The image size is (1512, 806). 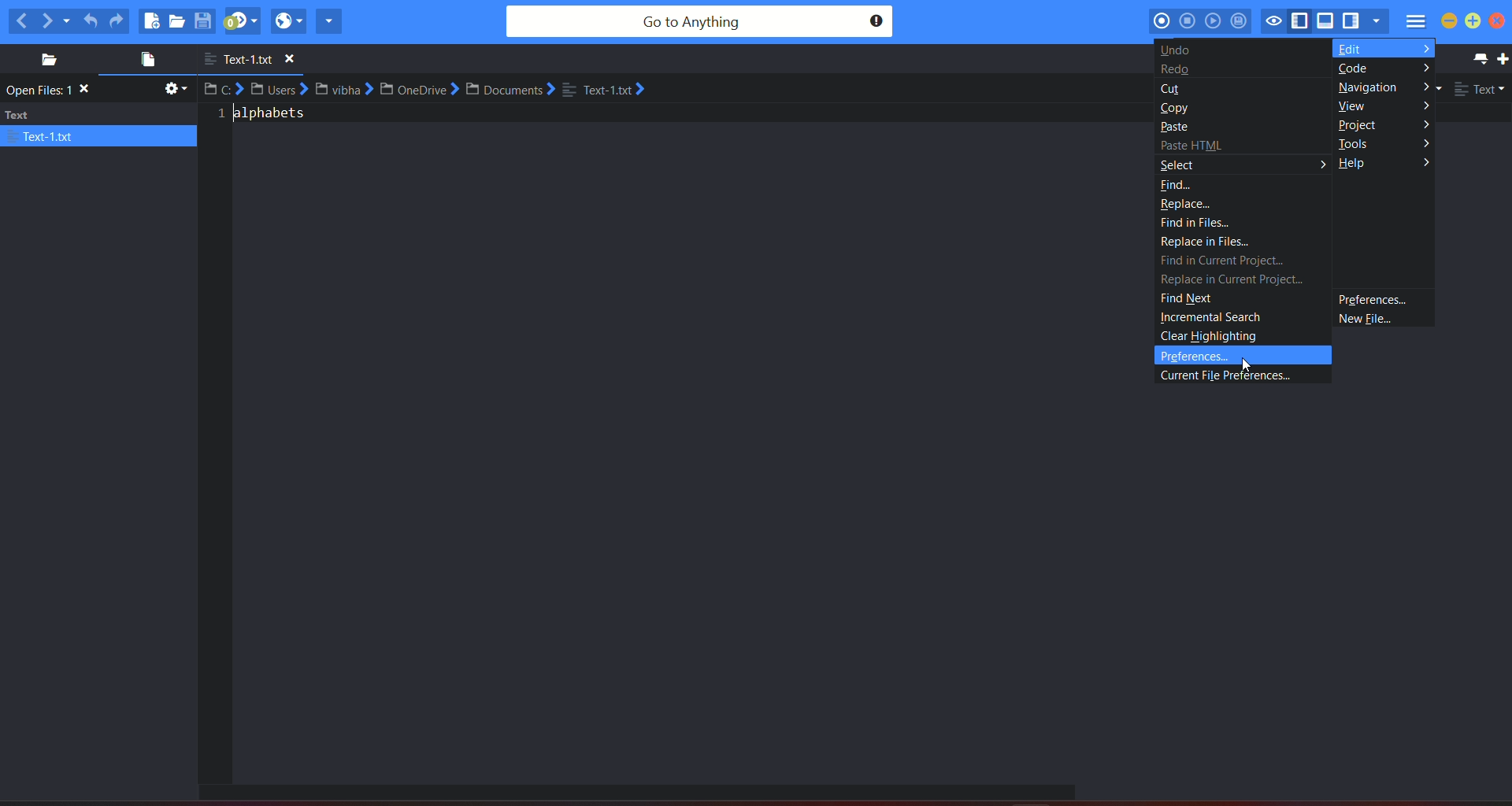 I want to click on undo, so click(x=1178, y=68).